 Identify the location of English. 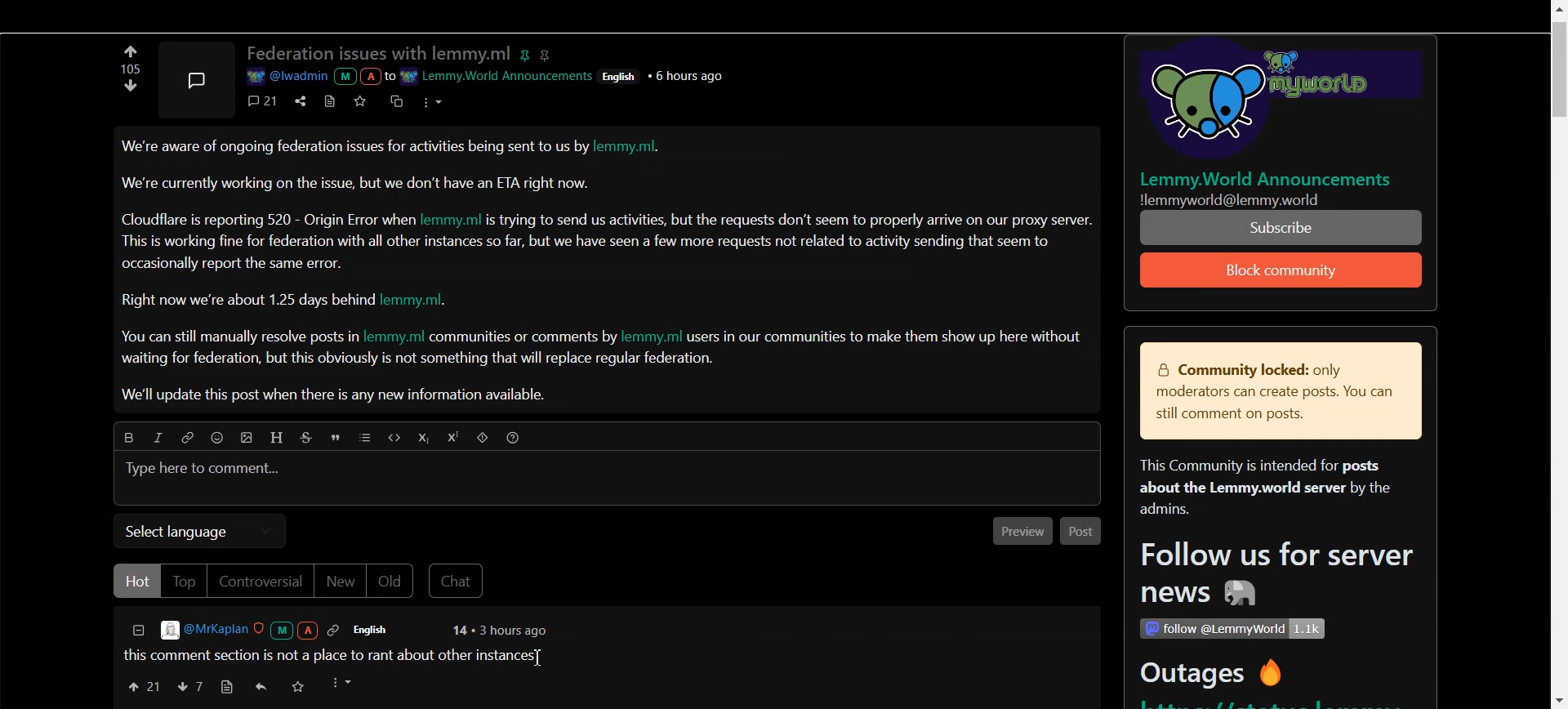
(381, 630).